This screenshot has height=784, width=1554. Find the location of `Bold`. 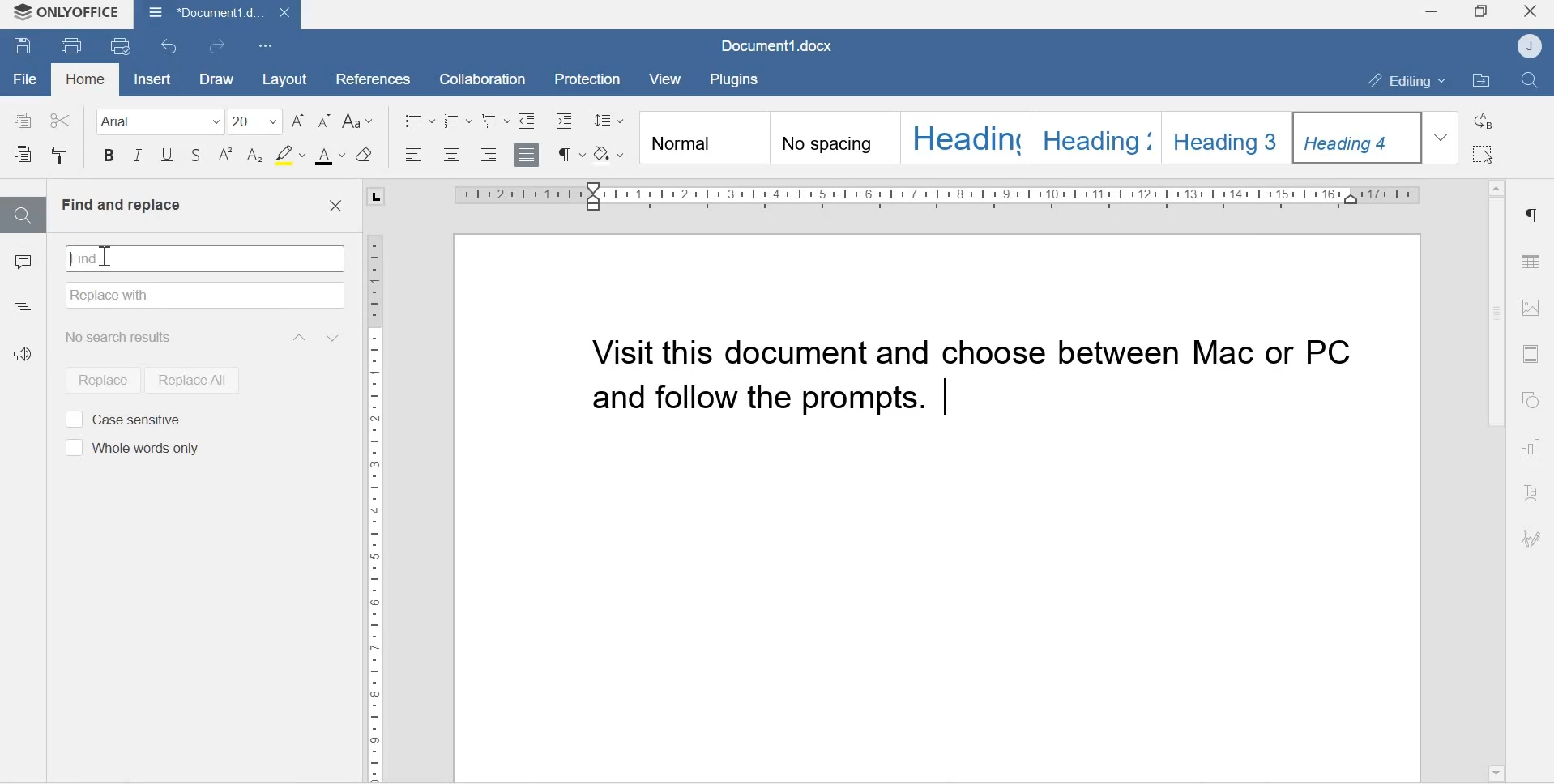

Bold is located at coordinates (109, 158).